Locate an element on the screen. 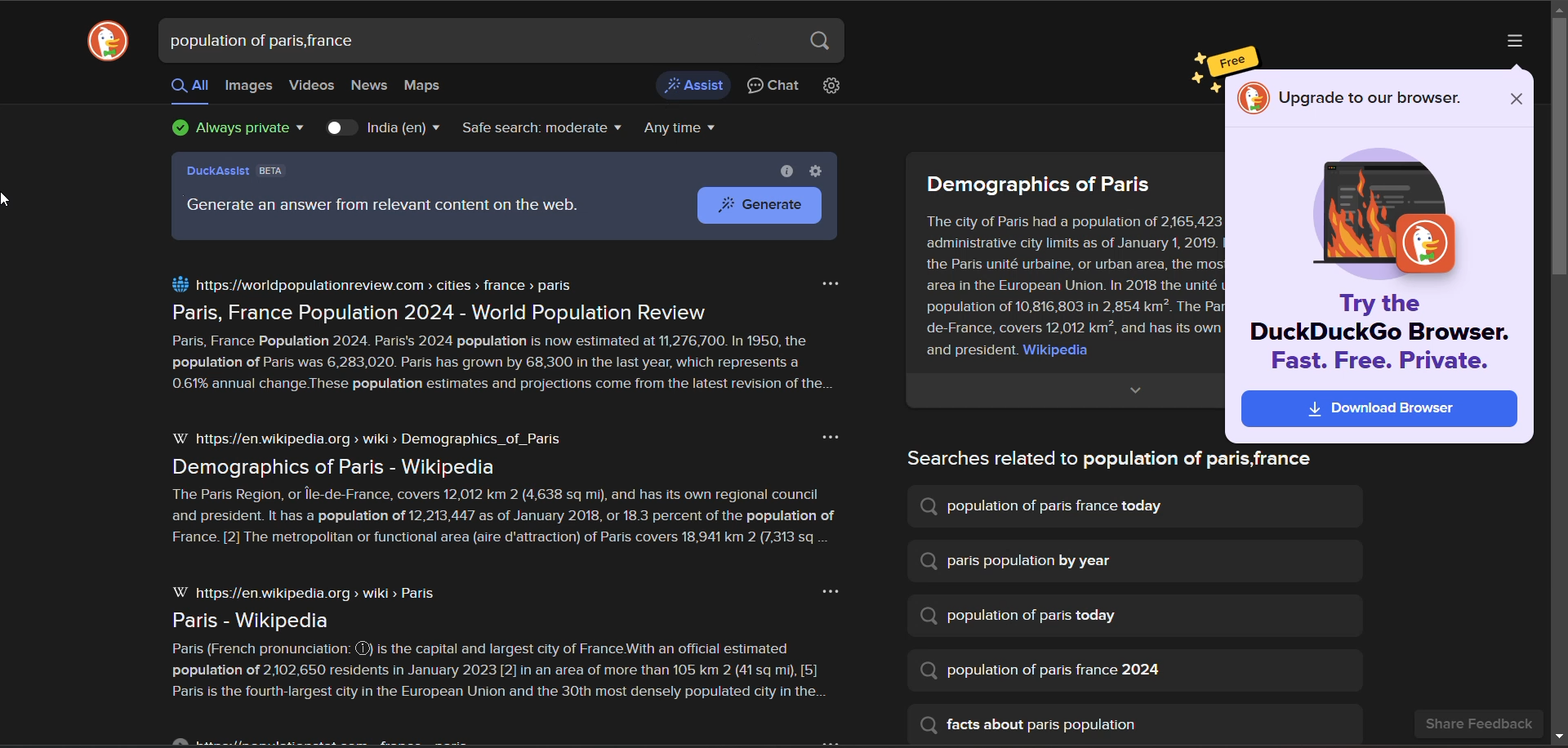 This screenshot has width=1568, height=748. Paris, France Population 2024. Paris's 2024 population is now estimated at 11,276,700. In 1950, the
population of Paris was 6,283,020. Paris has grown by 68,300 in the last year, which represents a
0.61% annual change These population estimates and projections come from the latest revision of the... is located at coordinates (506, 366).